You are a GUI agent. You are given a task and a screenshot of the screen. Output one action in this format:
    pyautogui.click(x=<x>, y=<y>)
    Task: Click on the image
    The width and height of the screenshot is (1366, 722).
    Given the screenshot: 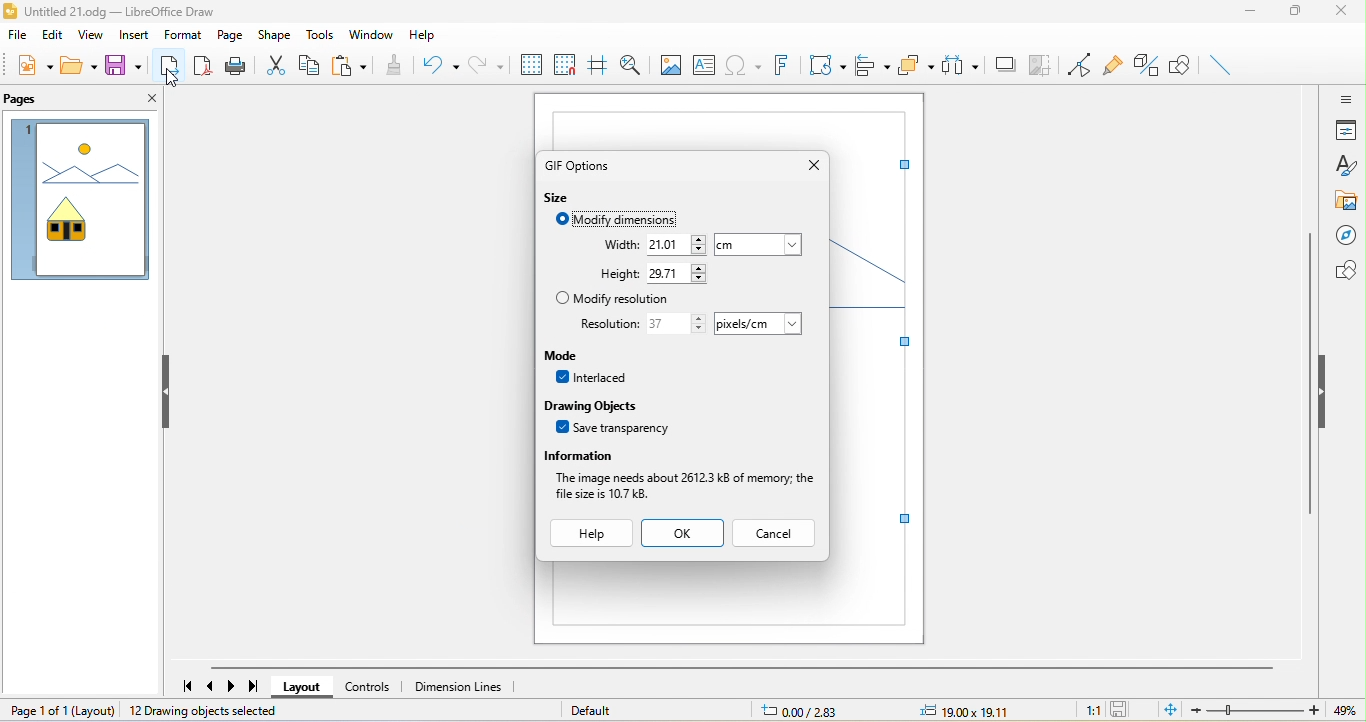 What is the action you would take?
    pyautogui.click(x=670, y=65)
    